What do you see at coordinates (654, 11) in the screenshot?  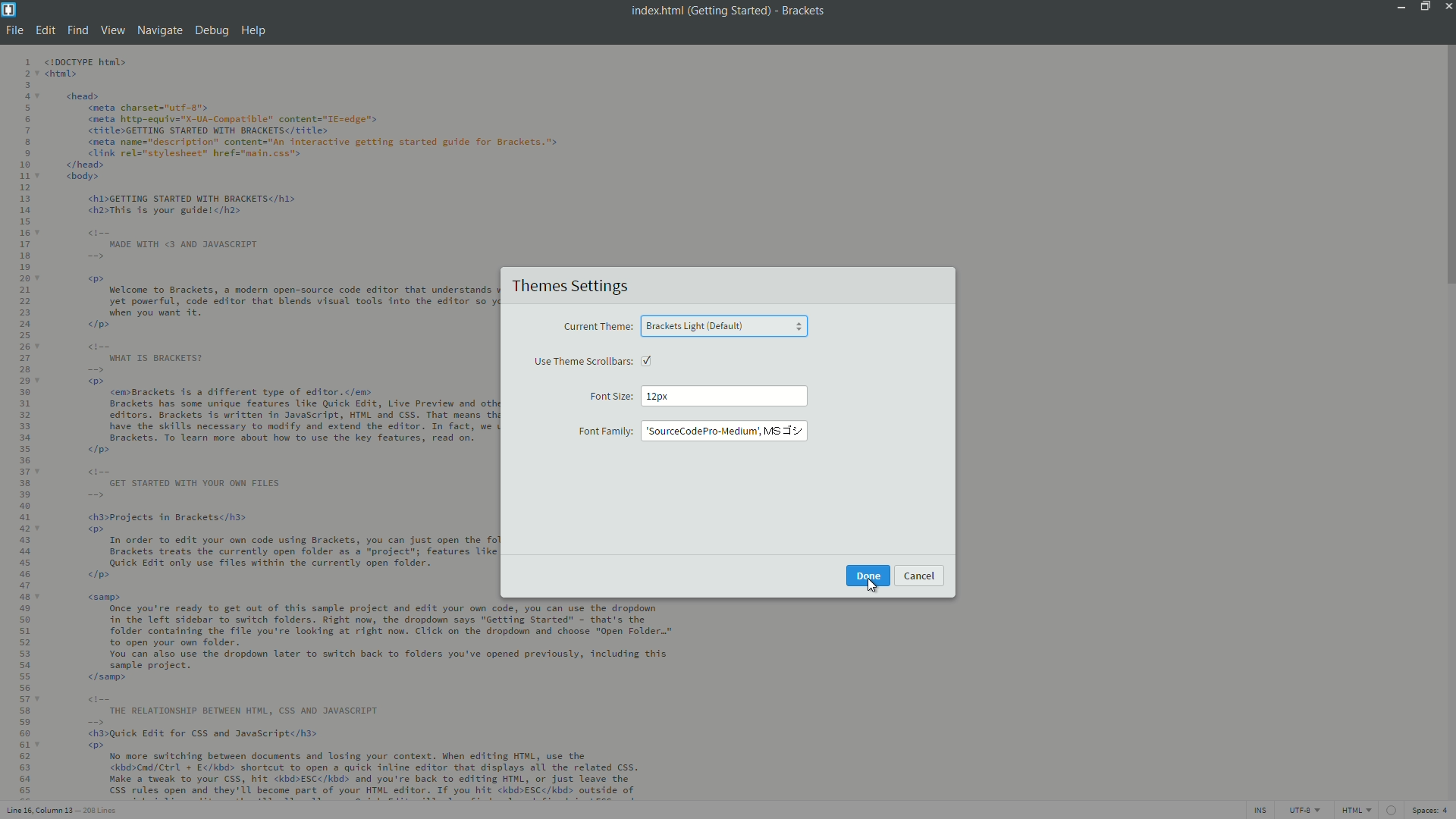 I see `file name` at bounding box center [654, 11].